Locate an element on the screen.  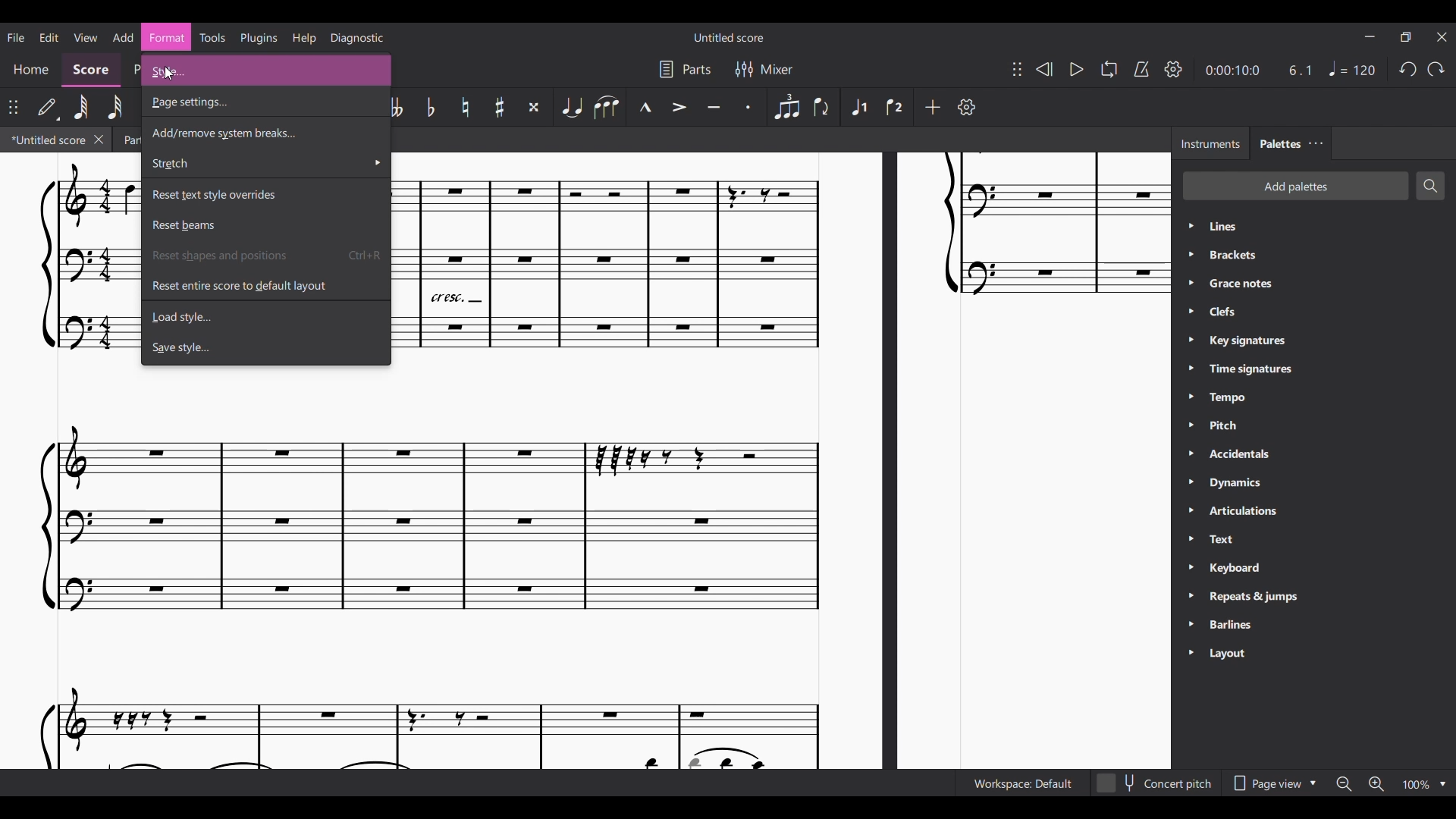
Close/Undock Palette tab is located at coordinates (1316, 143).